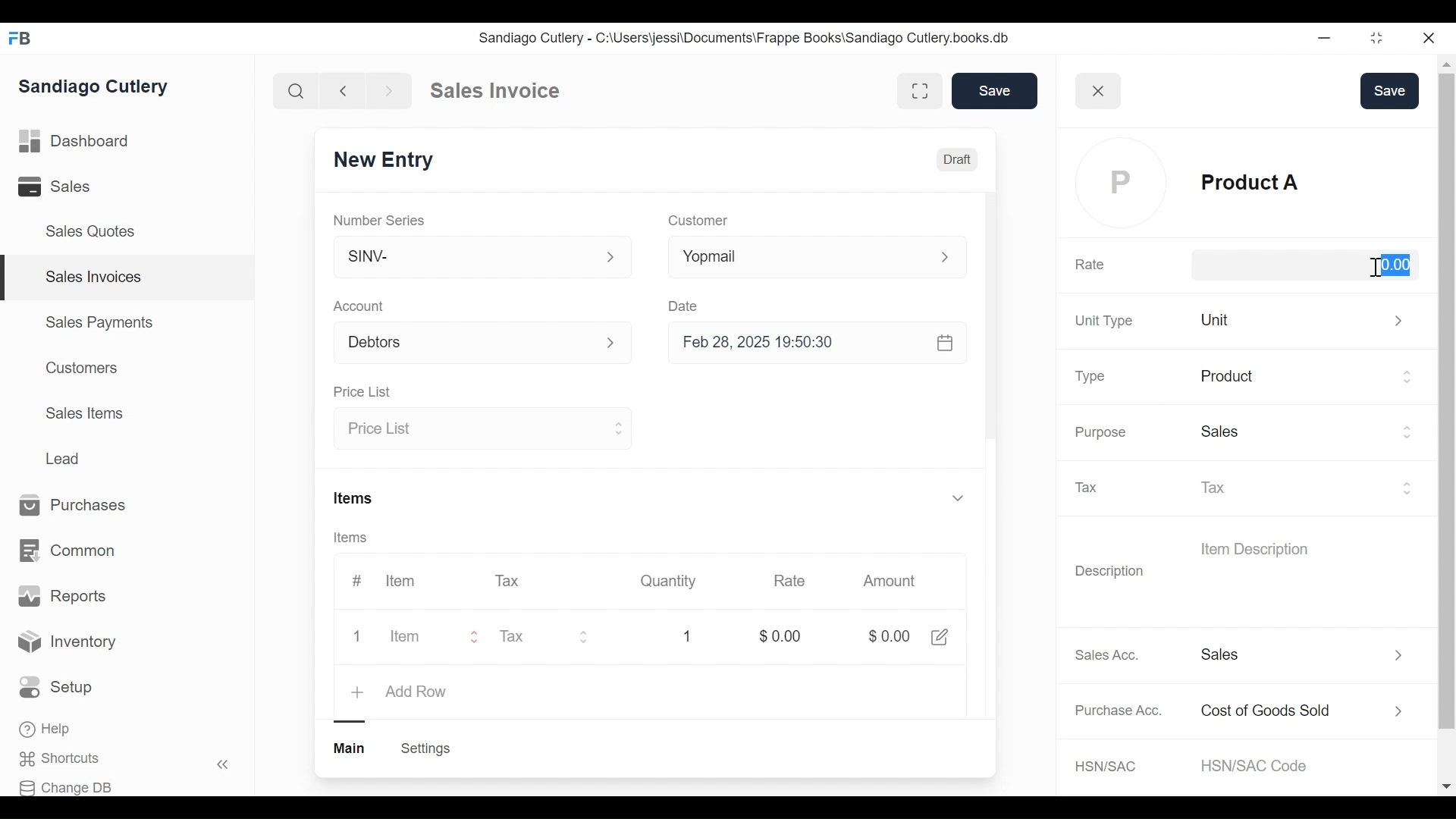 This screenshot has height=819, width=1456. What do you see at coordinates (96, 232) in the screenshot?
I see `Sales Quotes` at bounding box center [96, 232].